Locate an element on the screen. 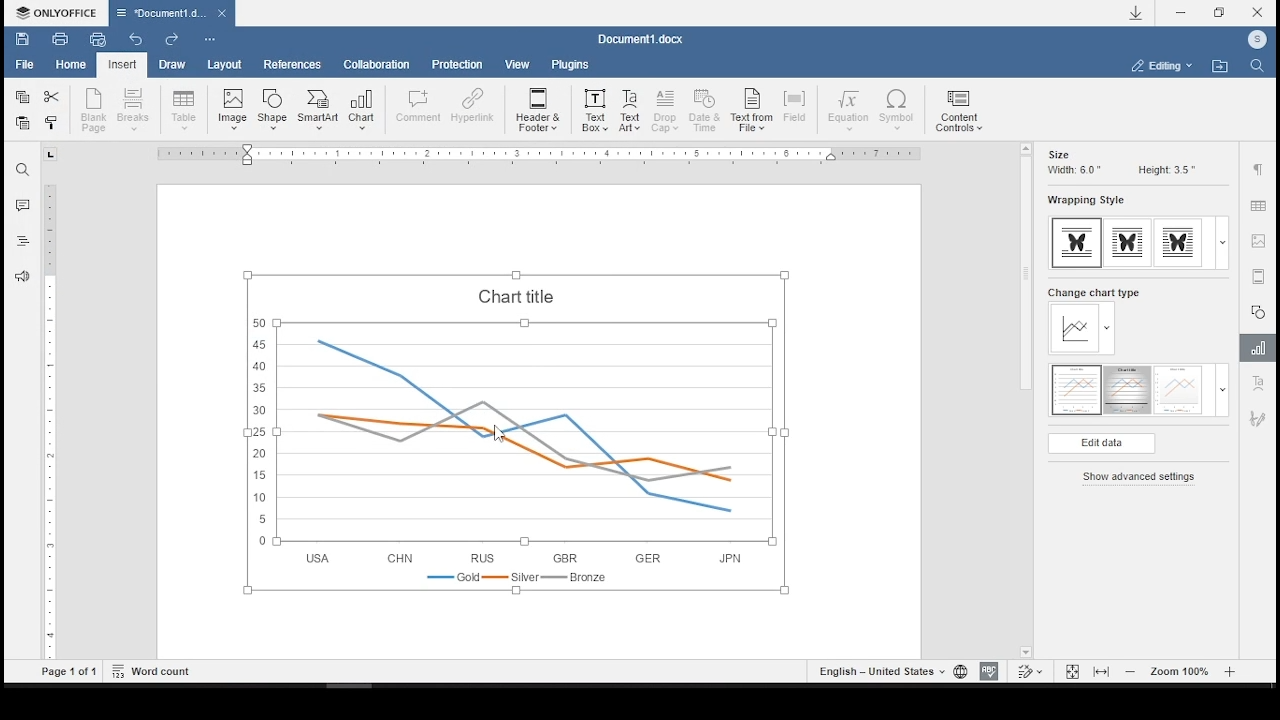 This screenshot has height=720, width=1280. wrapping style is located at coordinates (1078, 243).